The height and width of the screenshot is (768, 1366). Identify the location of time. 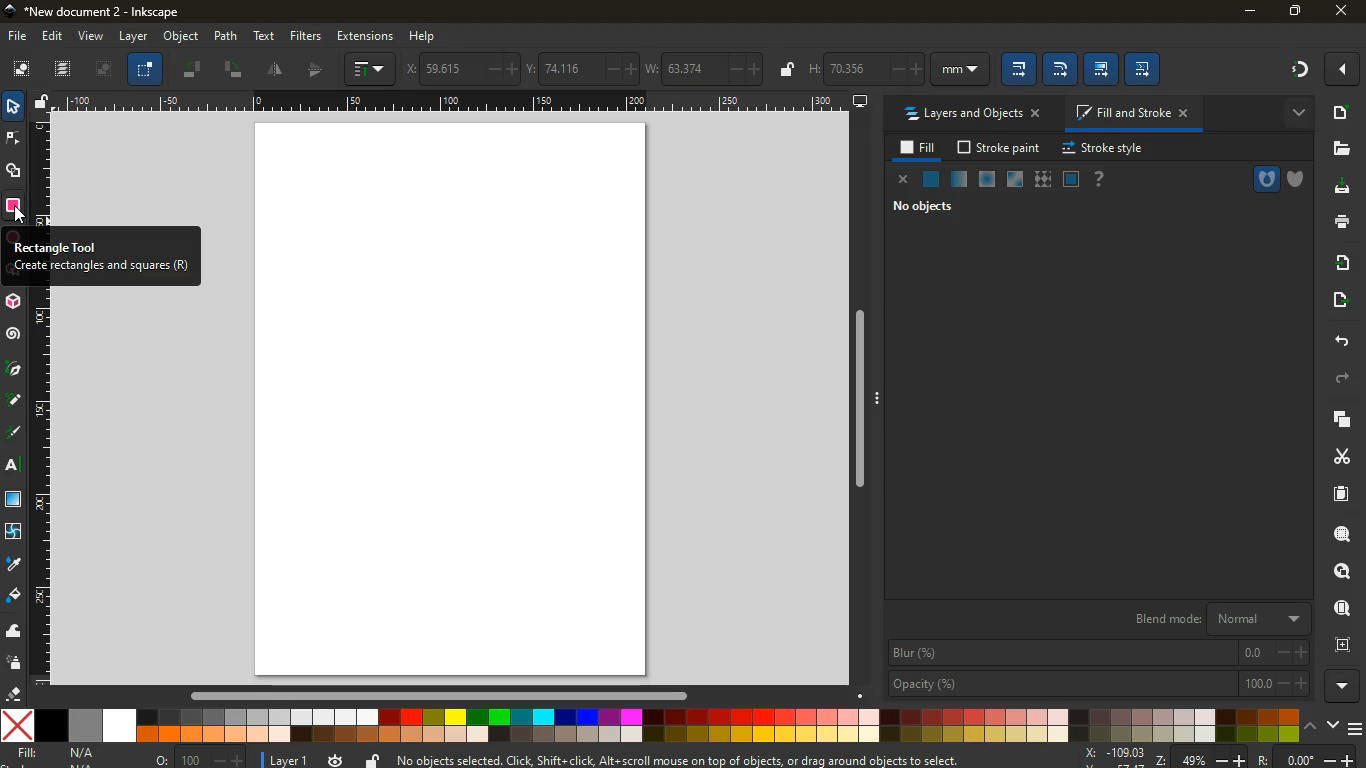
(337, 760).